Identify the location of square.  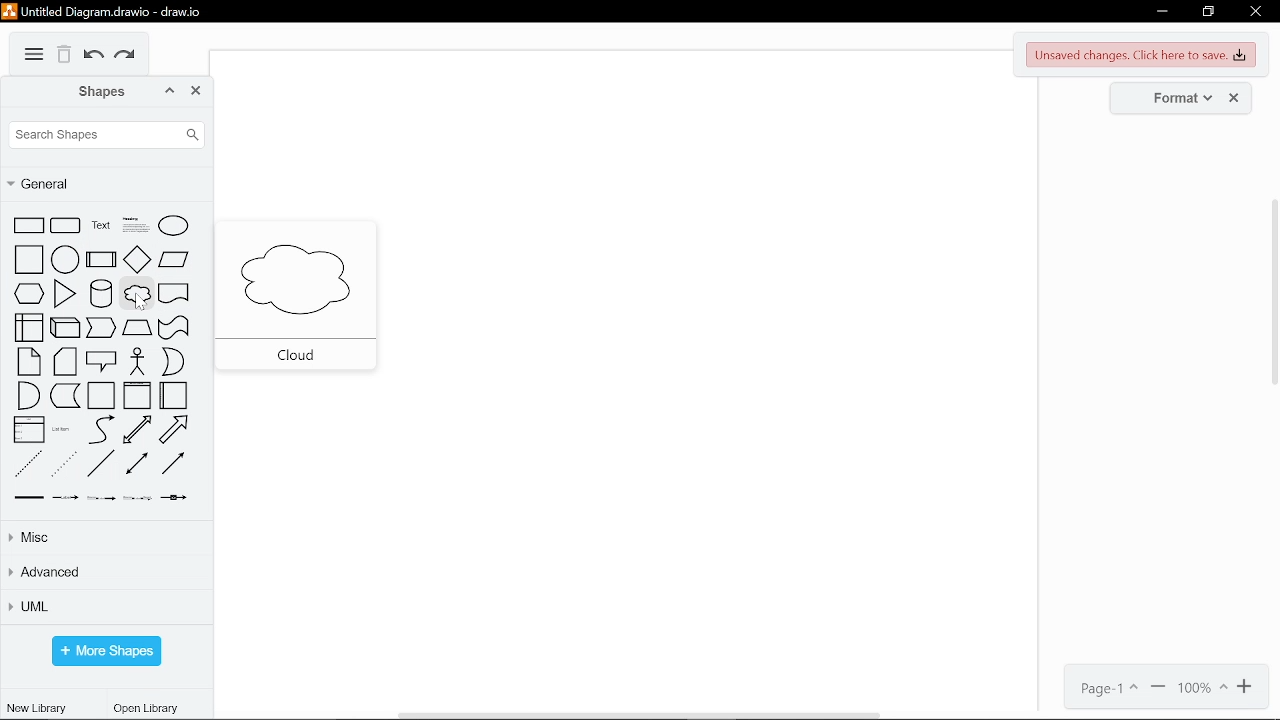
(28, 260).